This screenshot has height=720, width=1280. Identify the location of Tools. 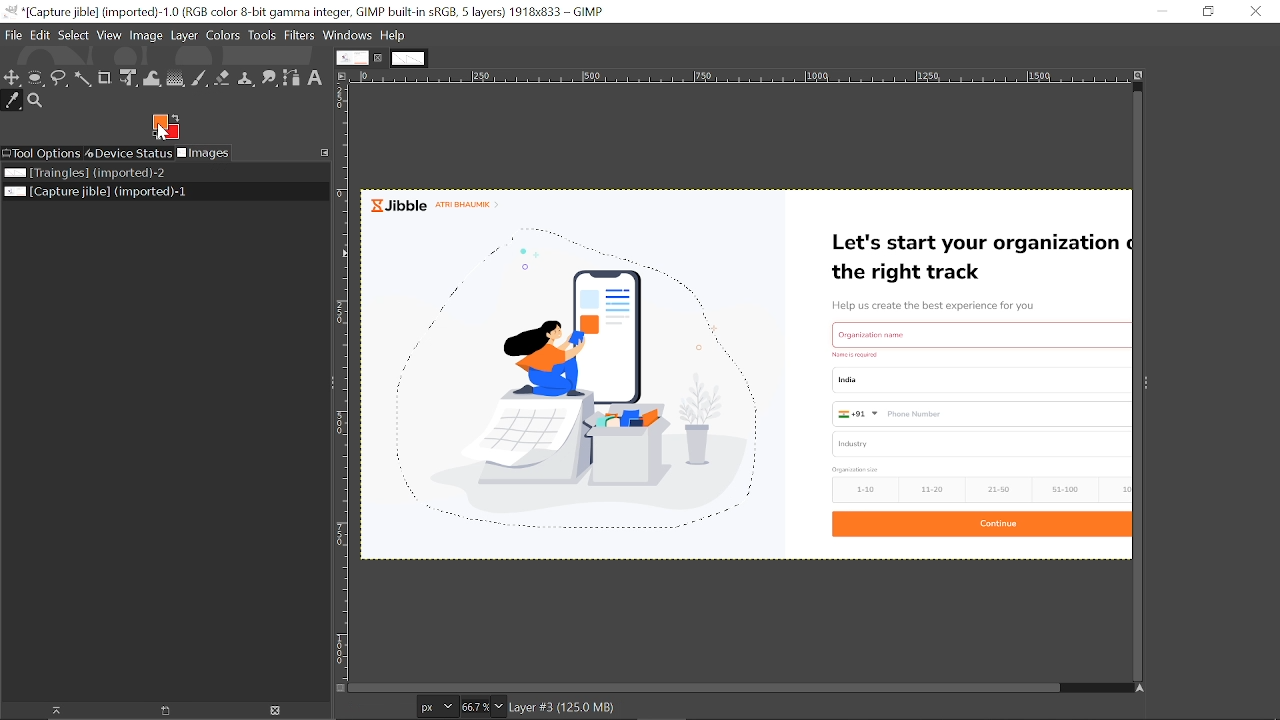
(261, 35).